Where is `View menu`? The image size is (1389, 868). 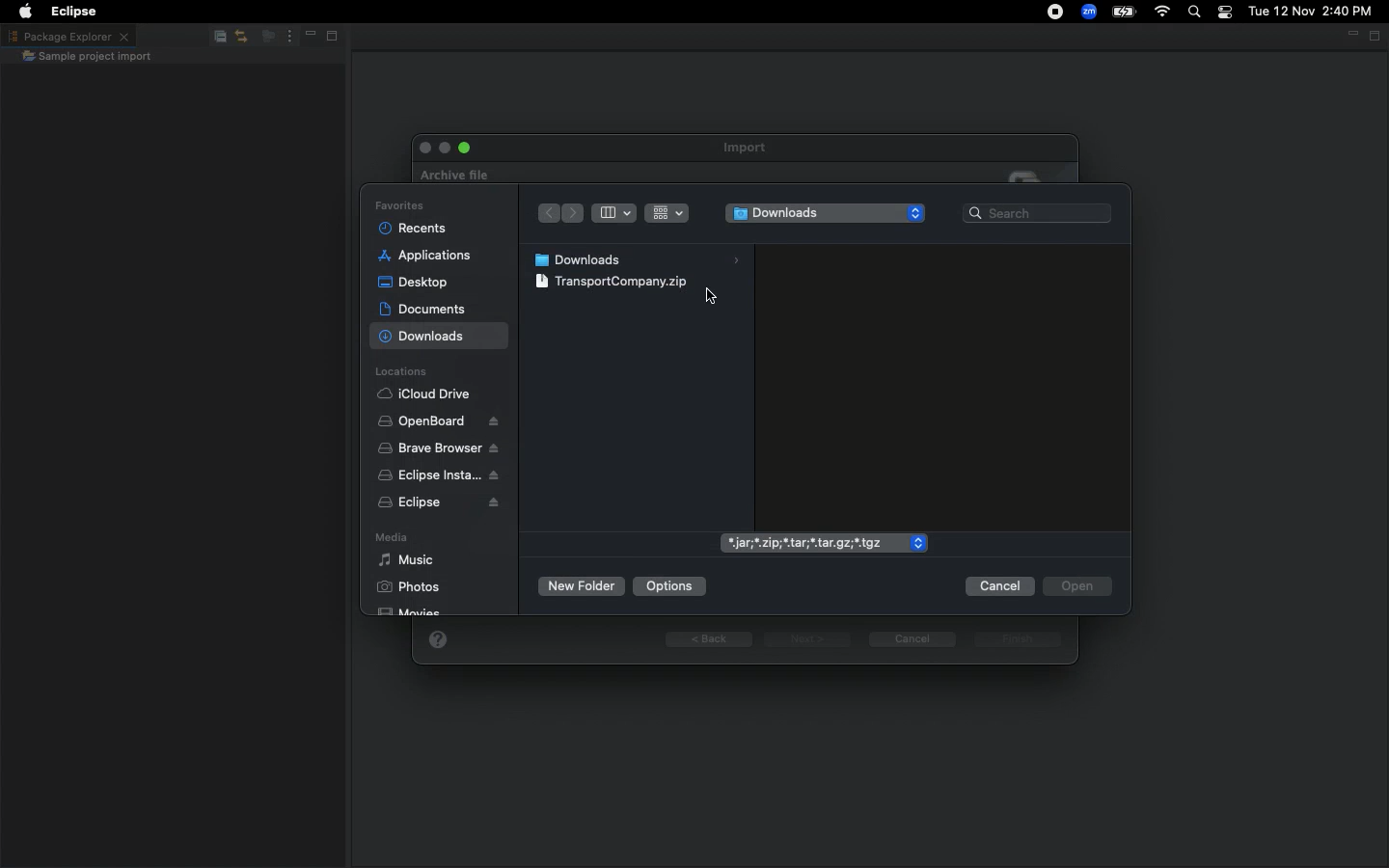
View menu is located at coordinates (286, 37).